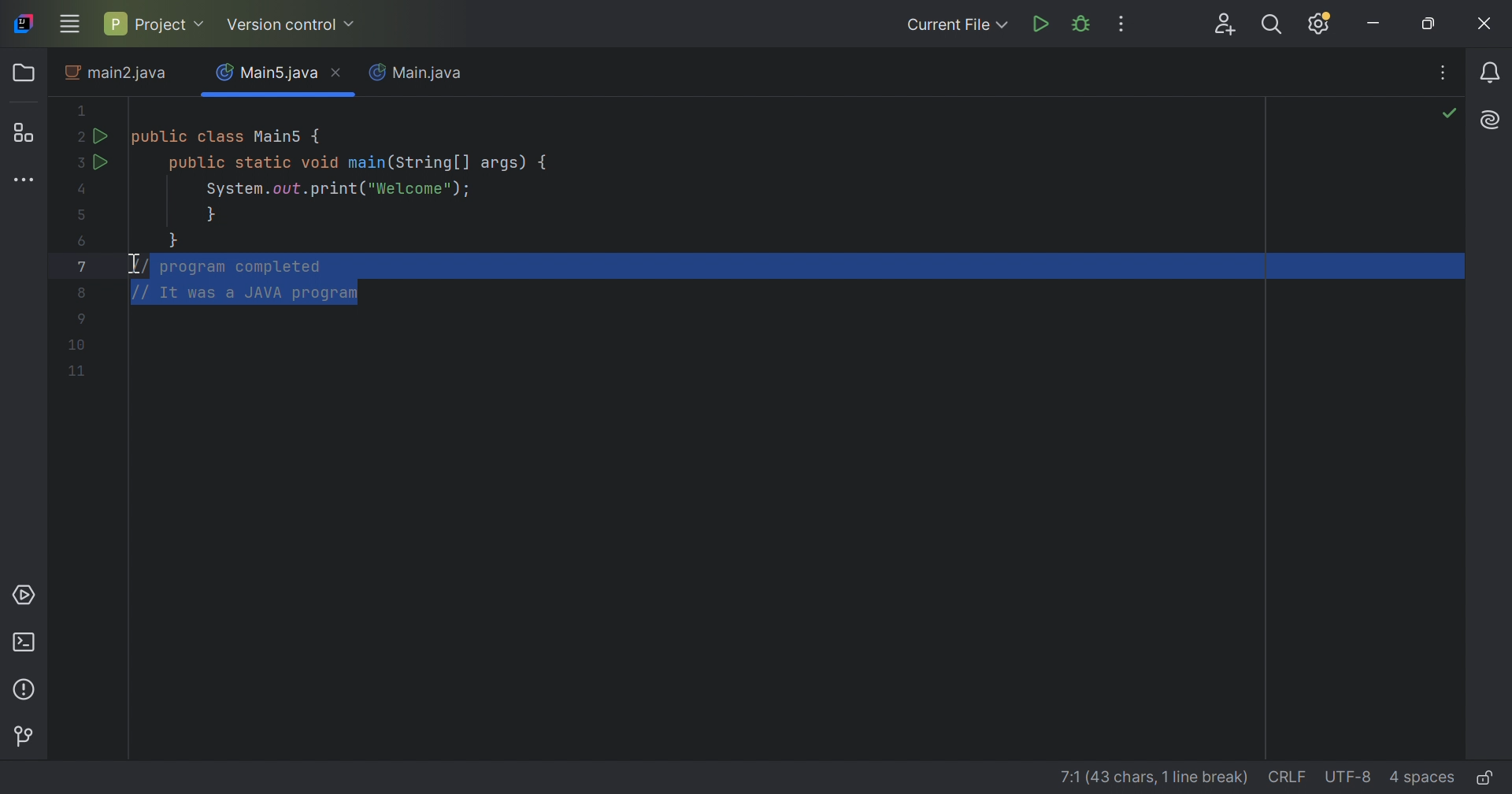 This screenshot has width=1512, height=794. What do you see at coordinates (117, 76) in the screenshot?
I see `main2.java` at bounding box center [117, 76].